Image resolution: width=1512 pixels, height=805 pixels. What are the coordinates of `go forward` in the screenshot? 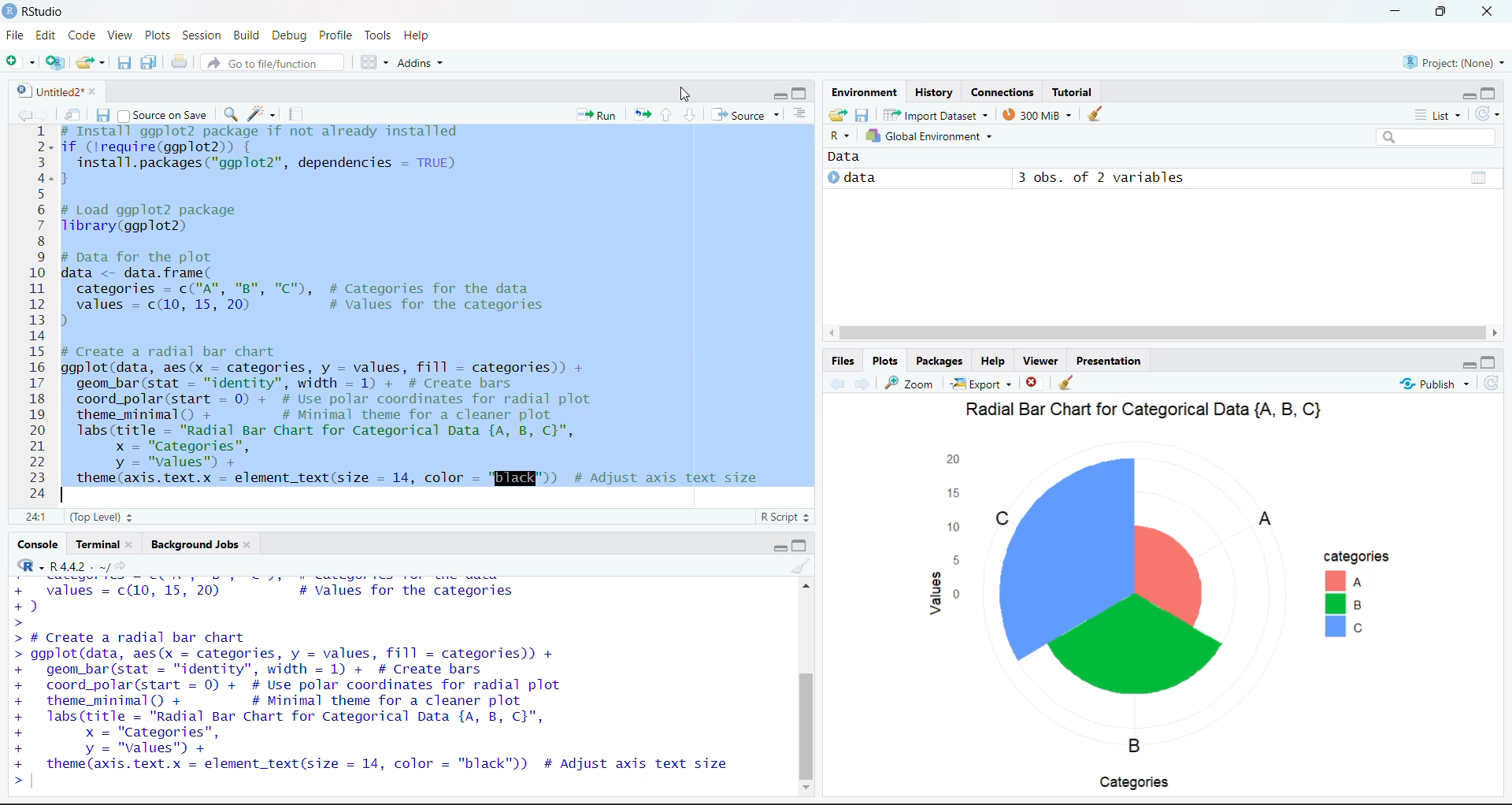 It's located at (864, 386).